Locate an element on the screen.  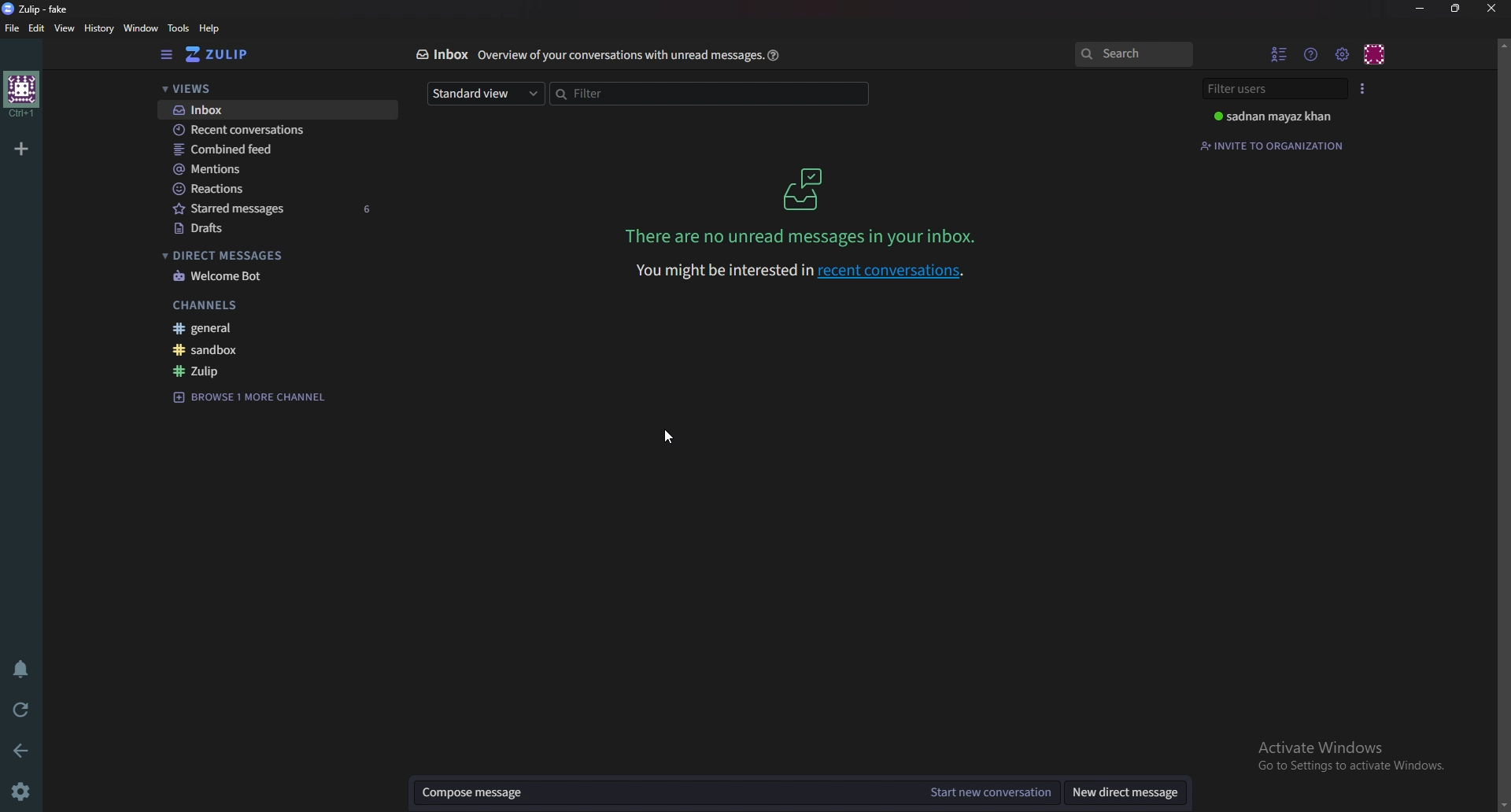
General is located at coordinates (276, 327).